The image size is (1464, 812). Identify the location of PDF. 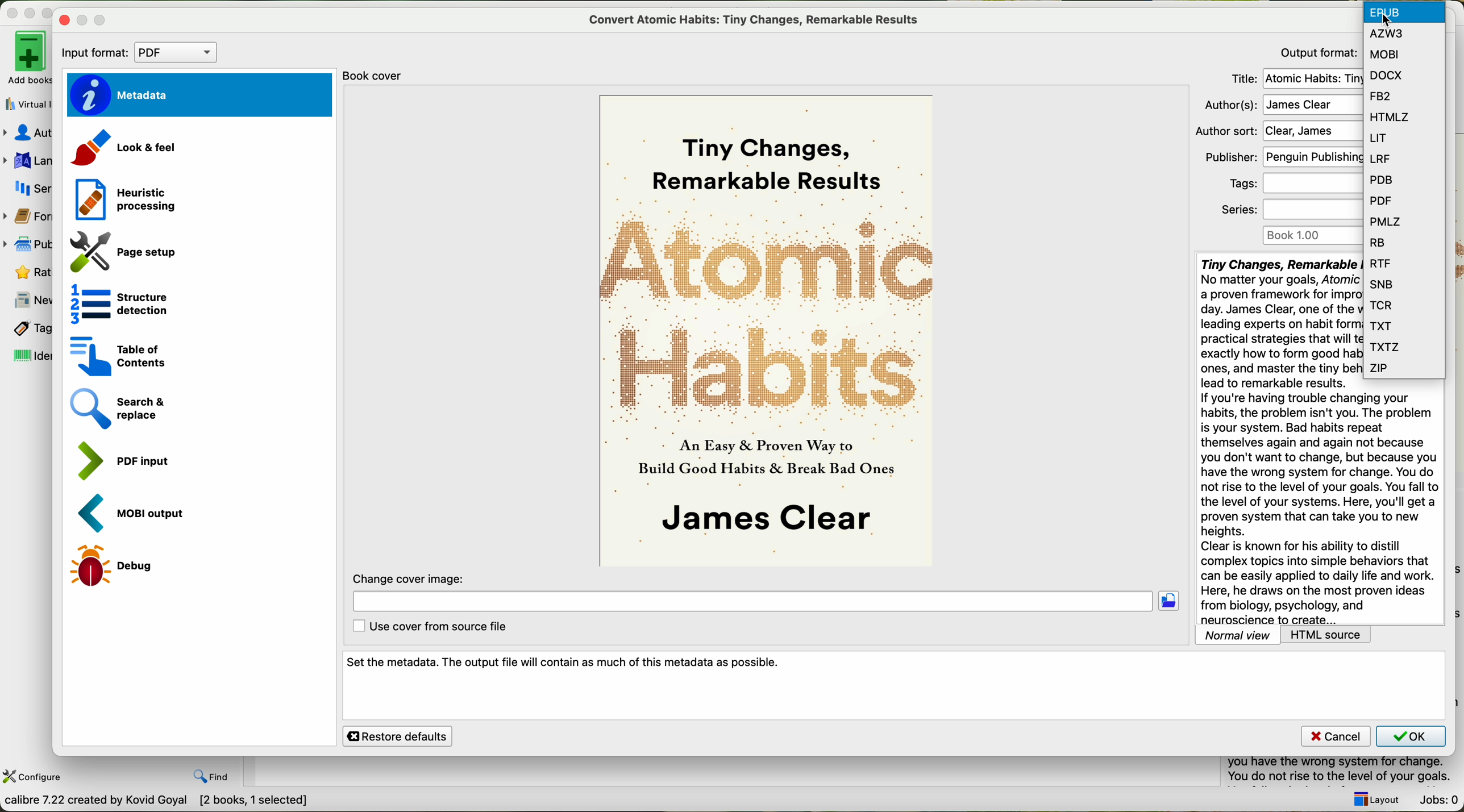
(1405, 201).